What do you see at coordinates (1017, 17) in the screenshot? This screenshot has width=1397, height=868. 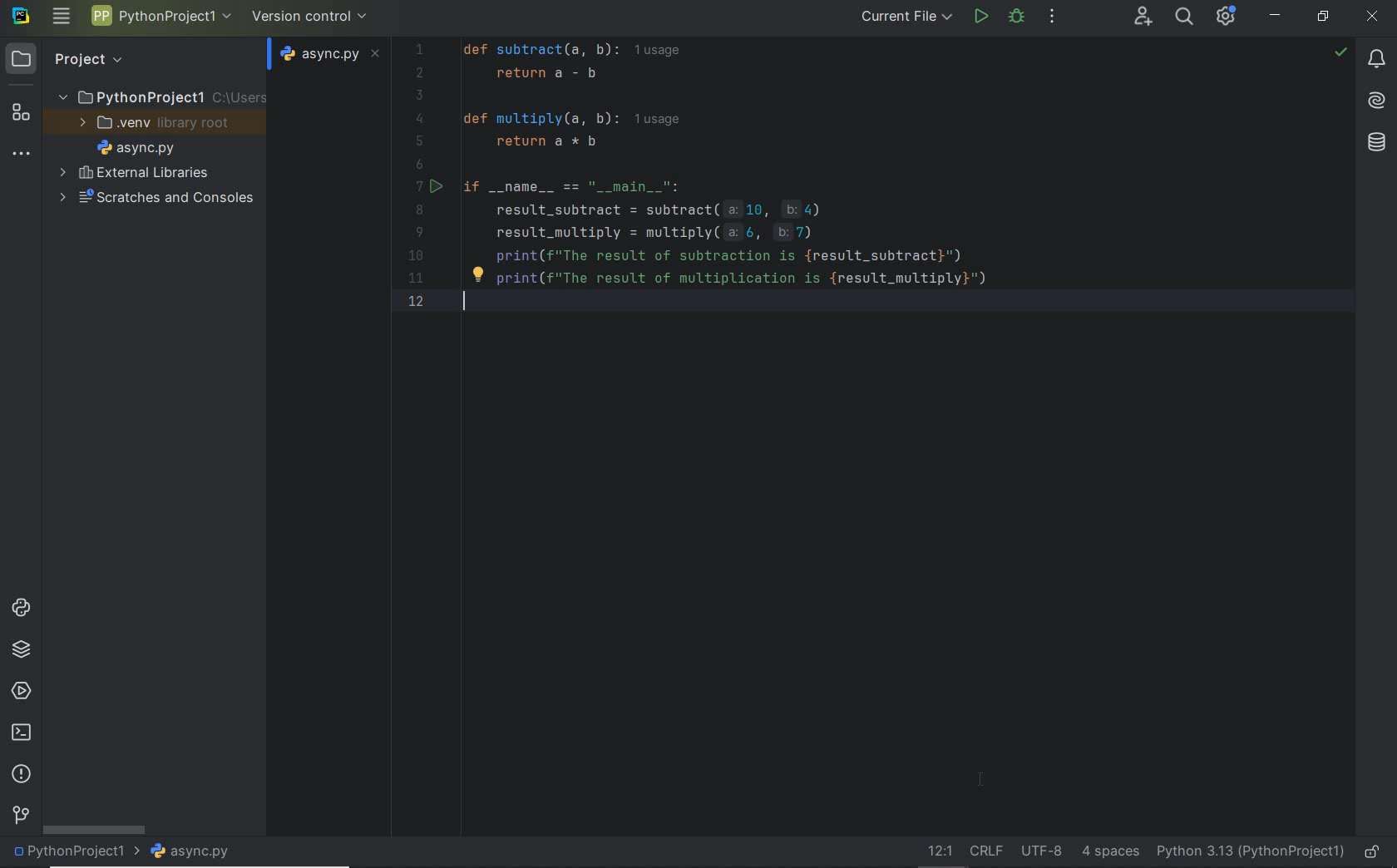 I see `debug` at bounding box center [1017, 17].